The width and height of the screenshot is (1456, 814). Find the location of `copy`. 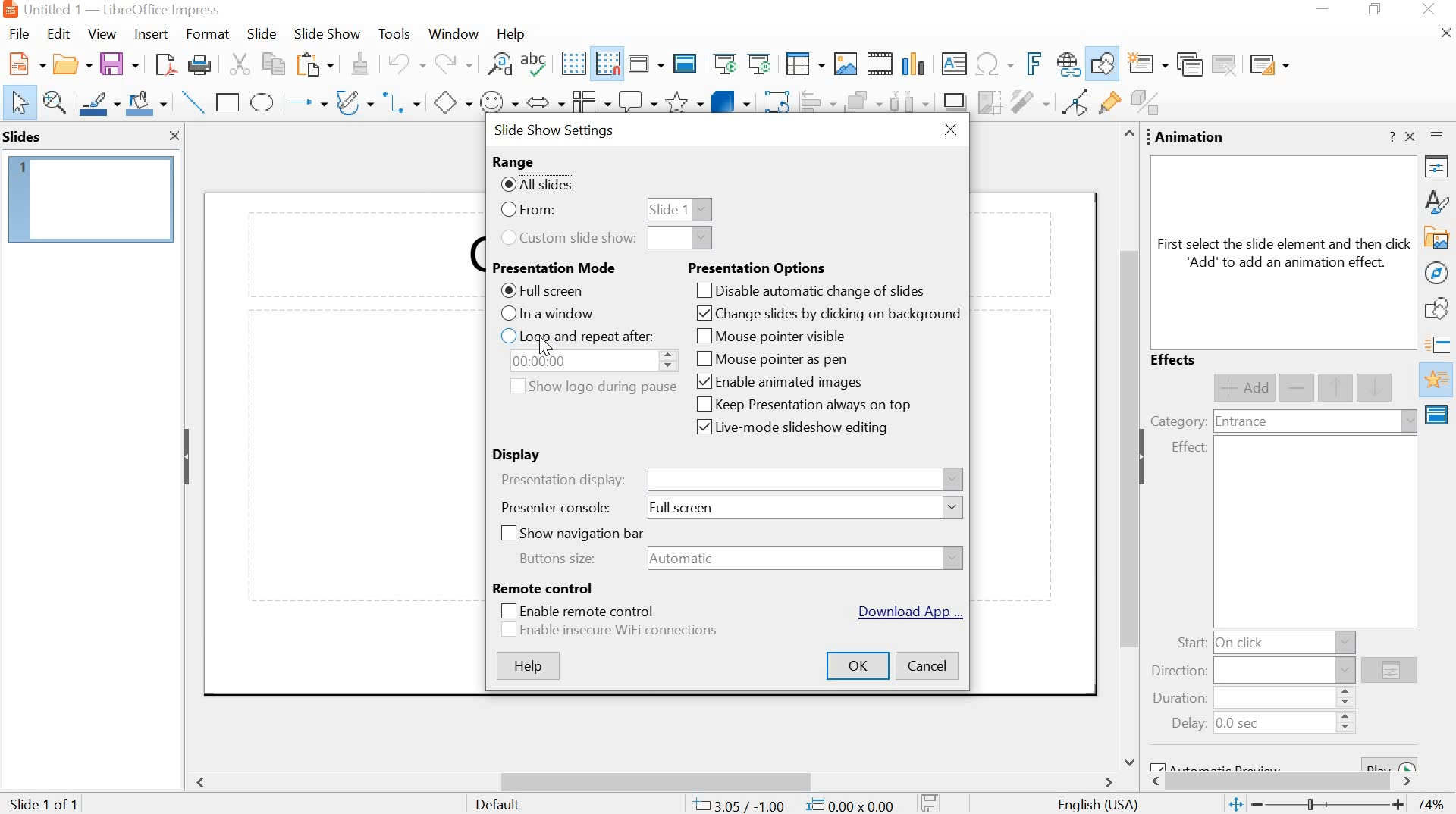

copy is located at coordinates (270, 64).